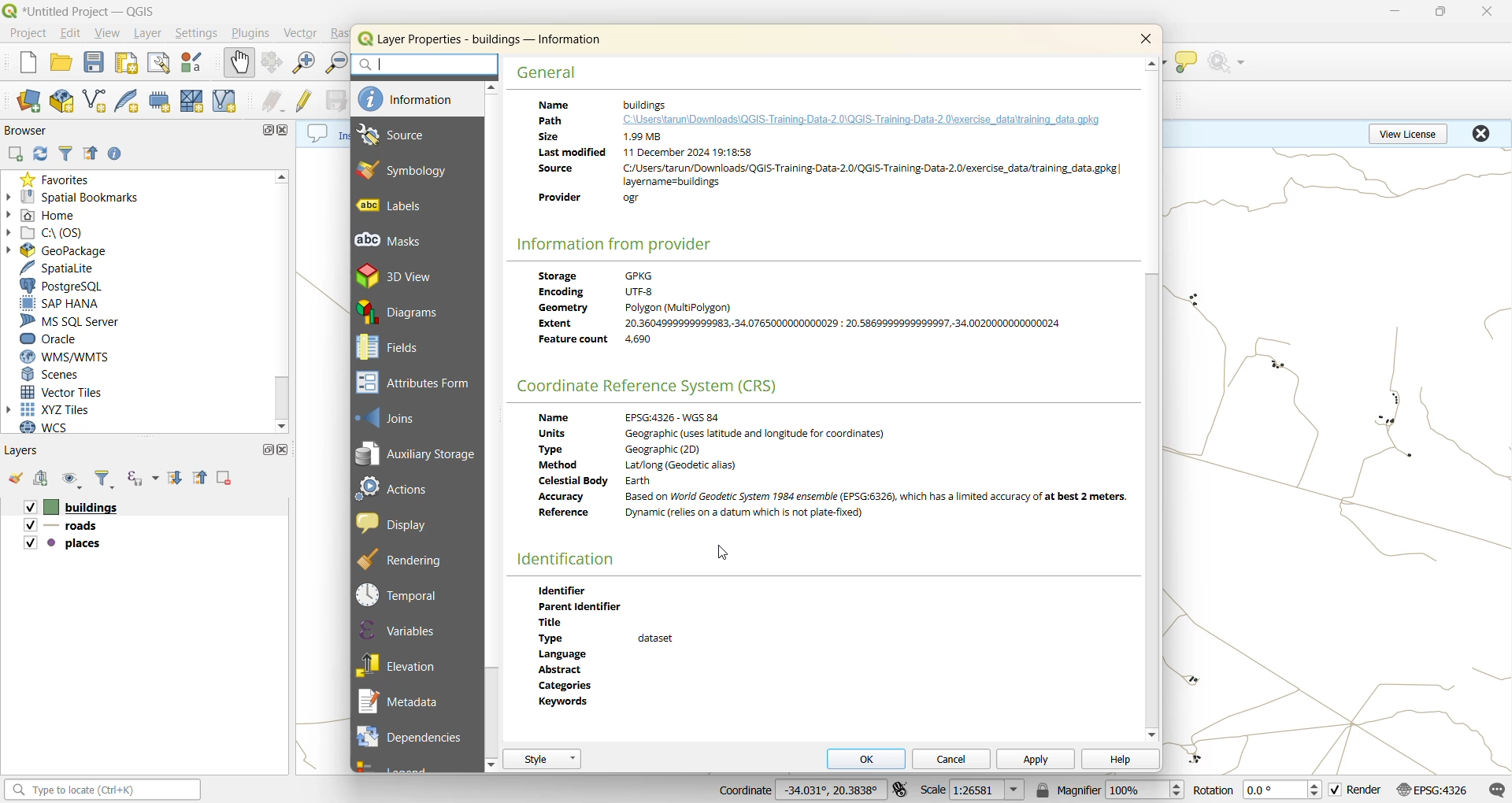 Image resolution: width=1512 pixels, height=803 pixels. Describe the element at coordinates (1153, 502) in the screenshot. I see `vertical scroll bar` at that location.